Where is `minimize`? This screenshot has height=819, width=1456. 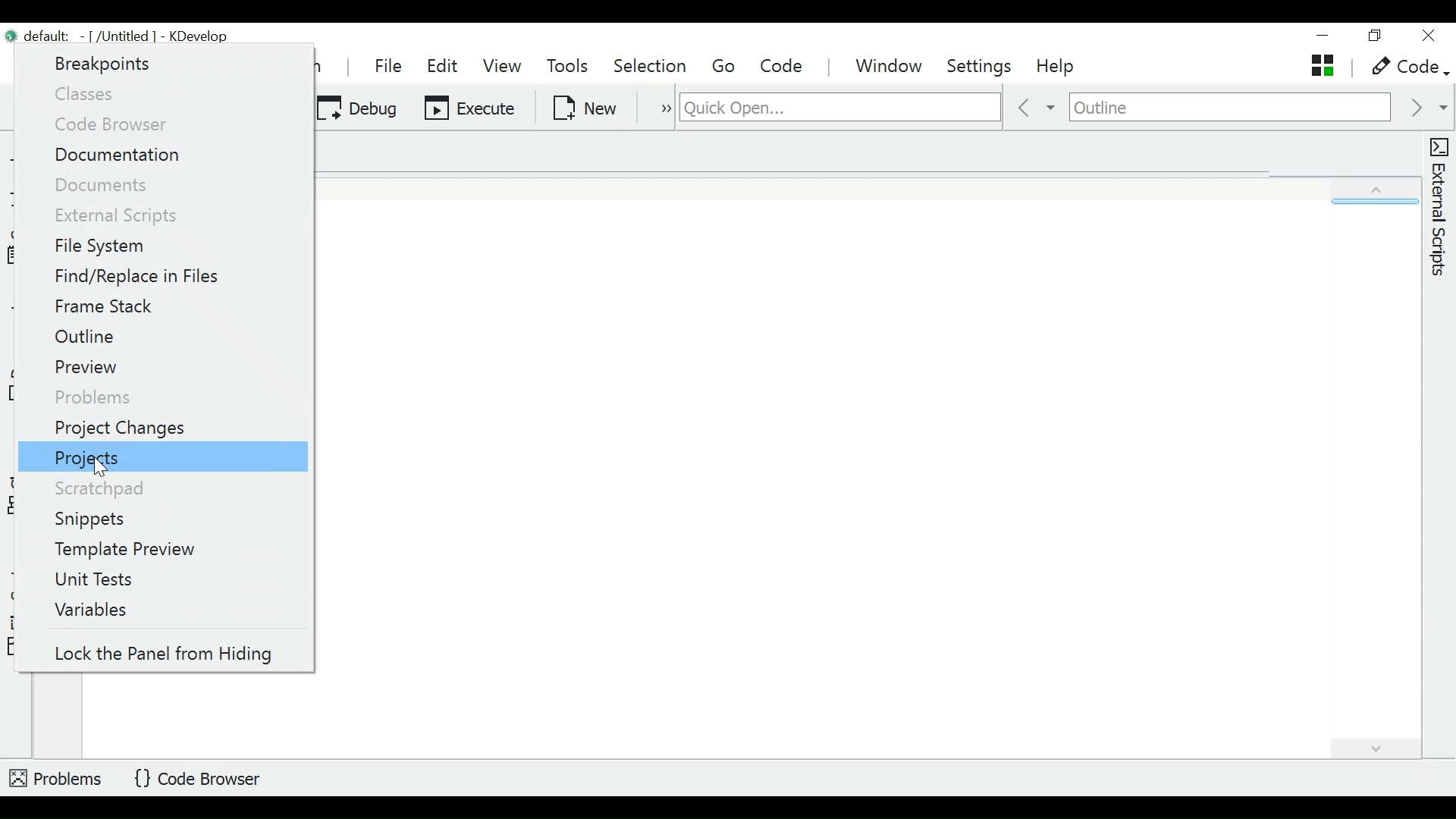
minimize is located at coordinates (1322, 36).